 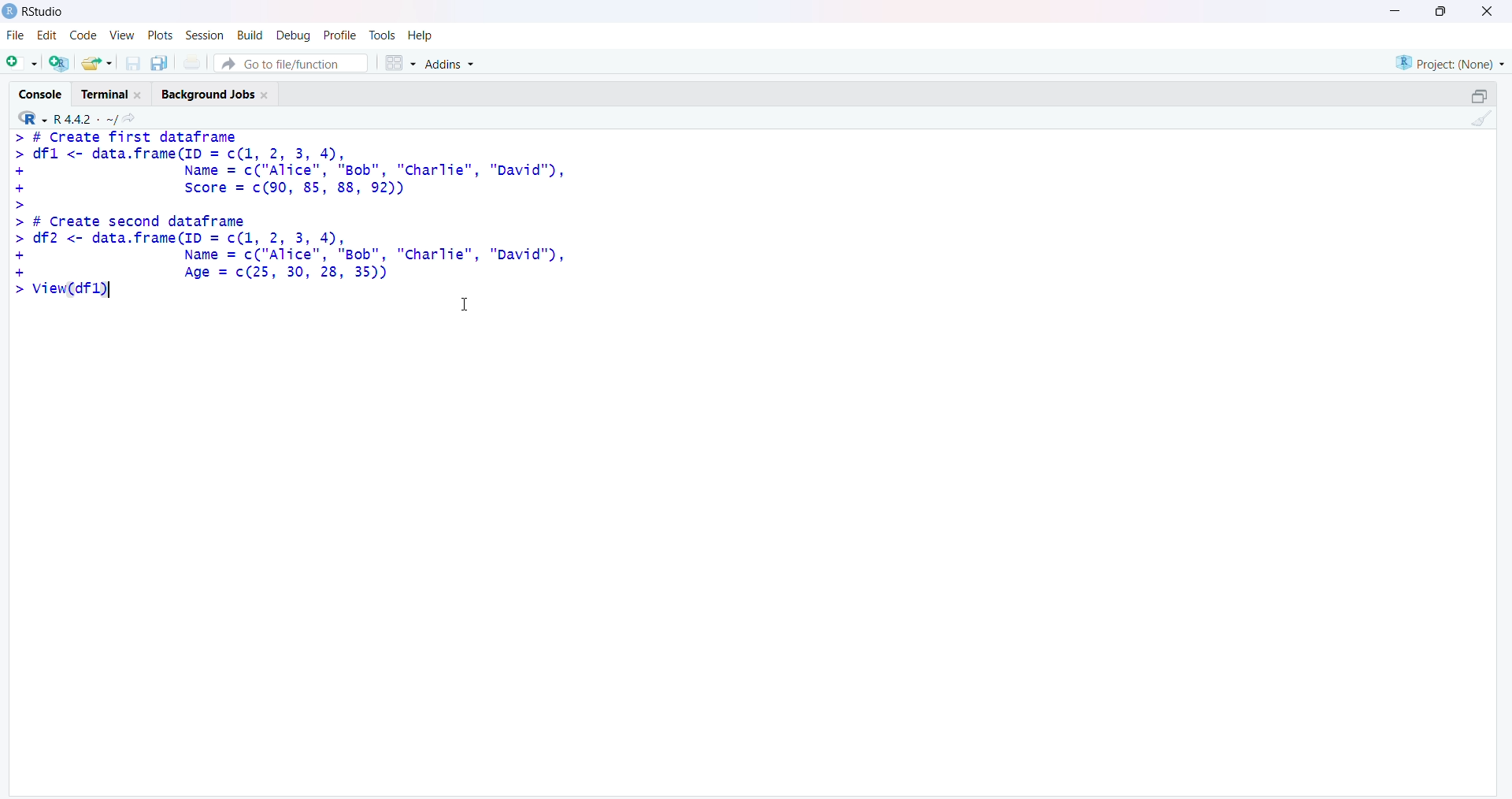 I want to click on project (none), so click(x=1450, y=62).